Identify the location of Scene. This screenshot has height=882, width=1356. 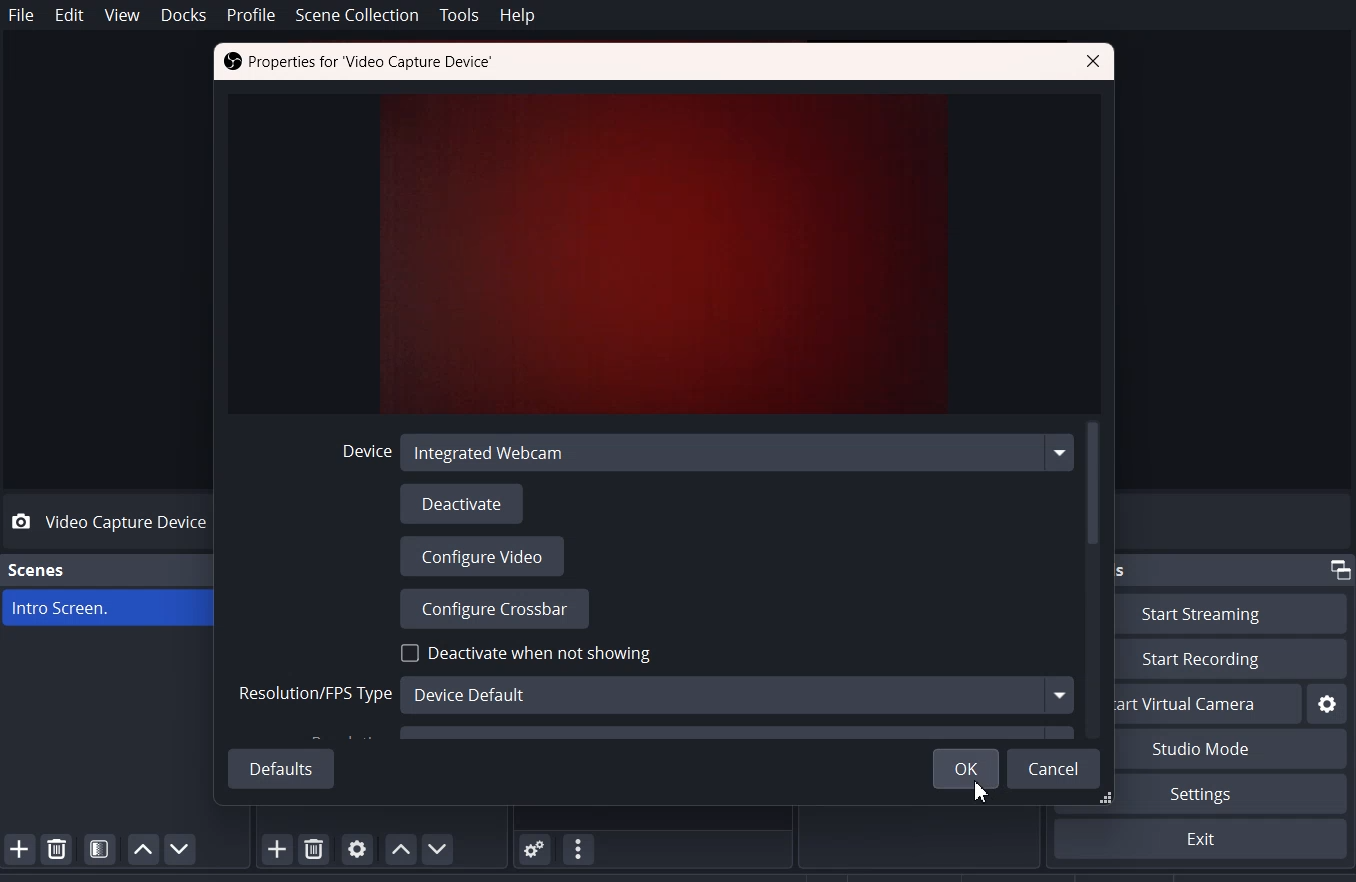
(36, 569).